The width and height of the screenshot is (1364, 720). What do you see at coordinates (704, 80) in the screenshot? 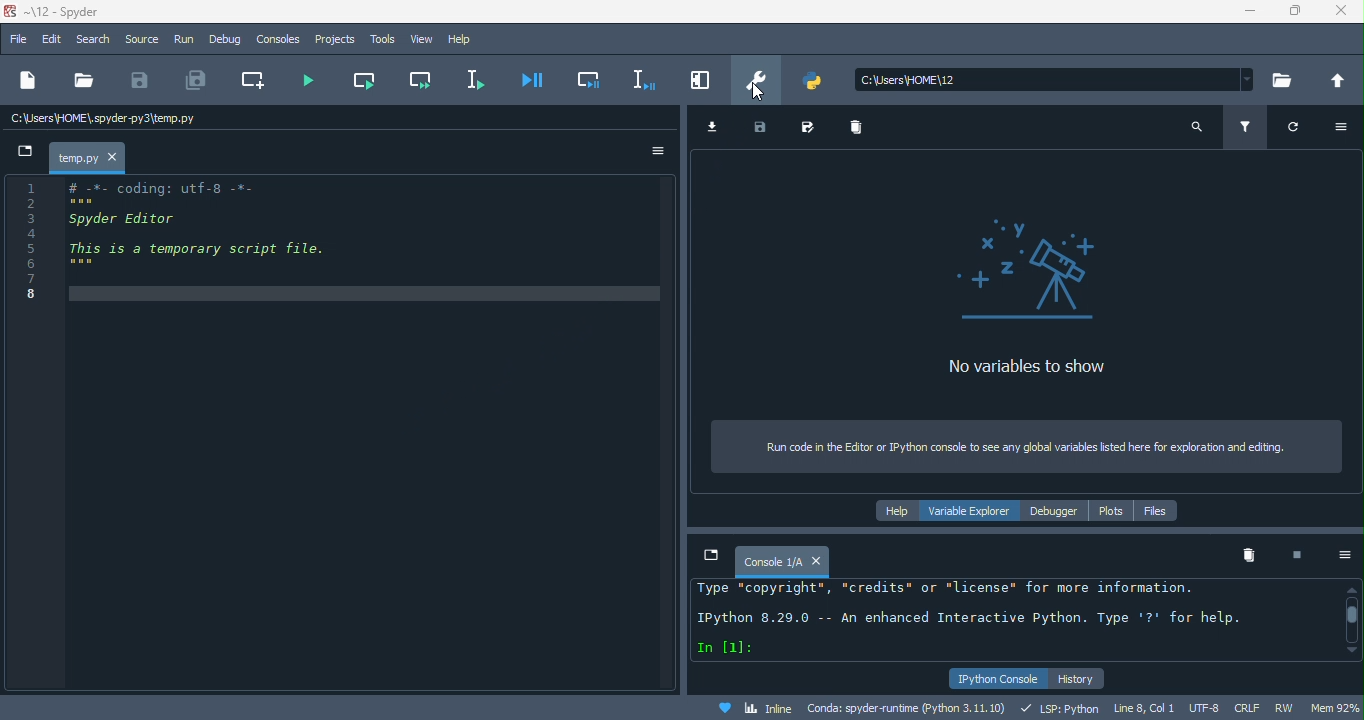
I see `maximize current pane` at bounding box center [704, 80].